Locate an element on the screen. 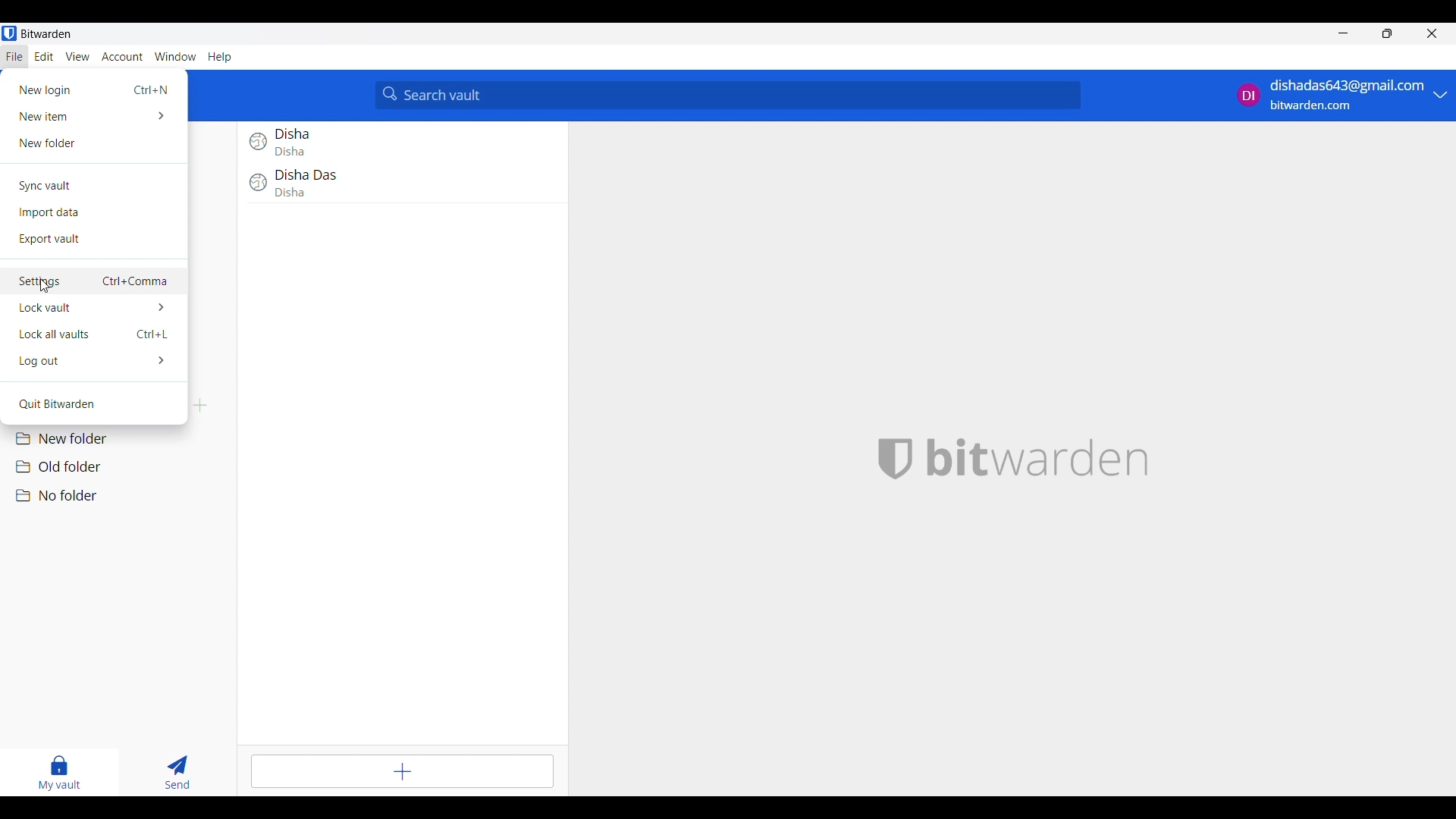 This screenshot has width=1456, height=819. Minimize is located at coordinates (1344, 33).